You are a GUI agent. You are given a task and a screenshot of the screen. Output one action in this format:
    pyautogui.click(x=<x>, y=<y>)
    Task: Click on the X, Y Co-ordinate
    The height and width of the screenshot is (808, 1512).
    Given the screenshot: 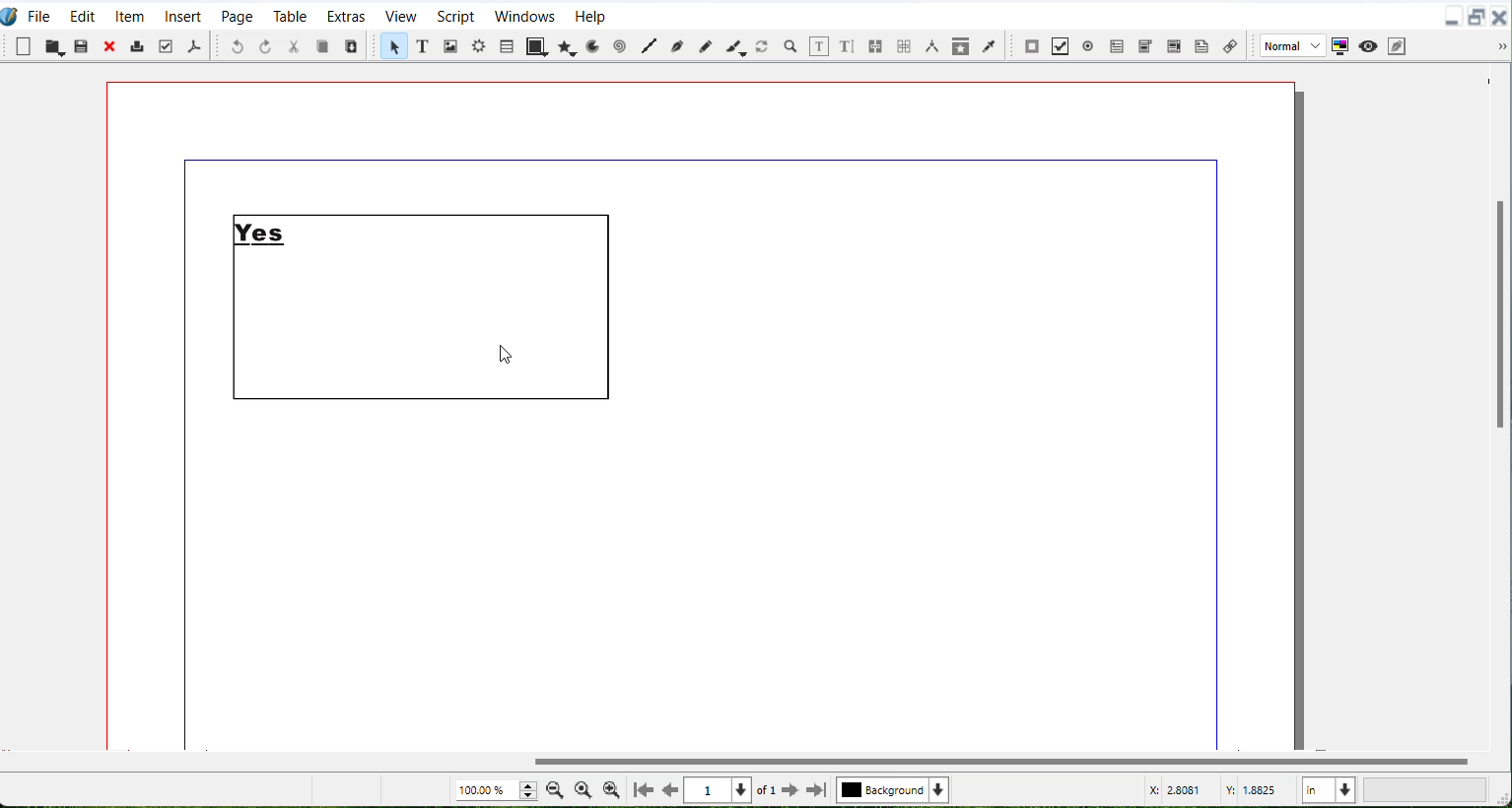 What is the action you would take?
    pyautogui.click(x=1218, y=790)
    